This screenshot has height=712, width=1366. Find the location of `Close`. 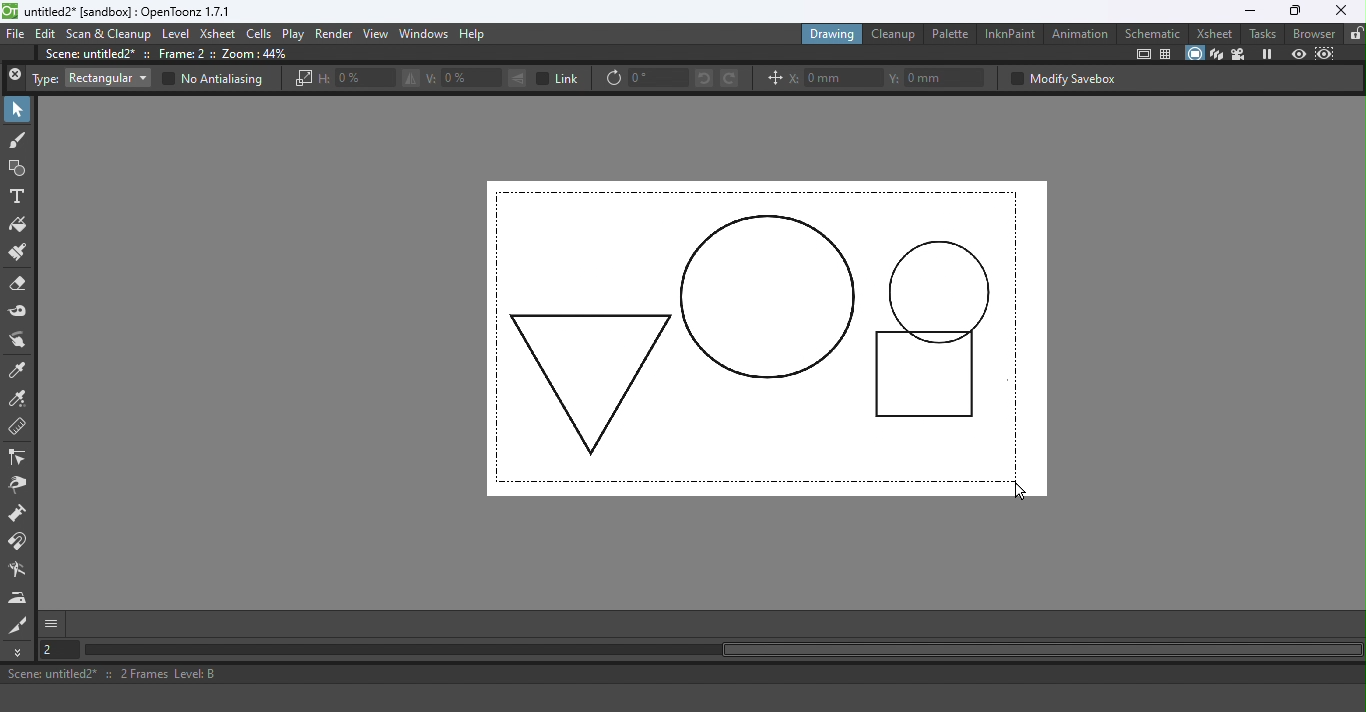

Close is located at coordinates (15, 77).